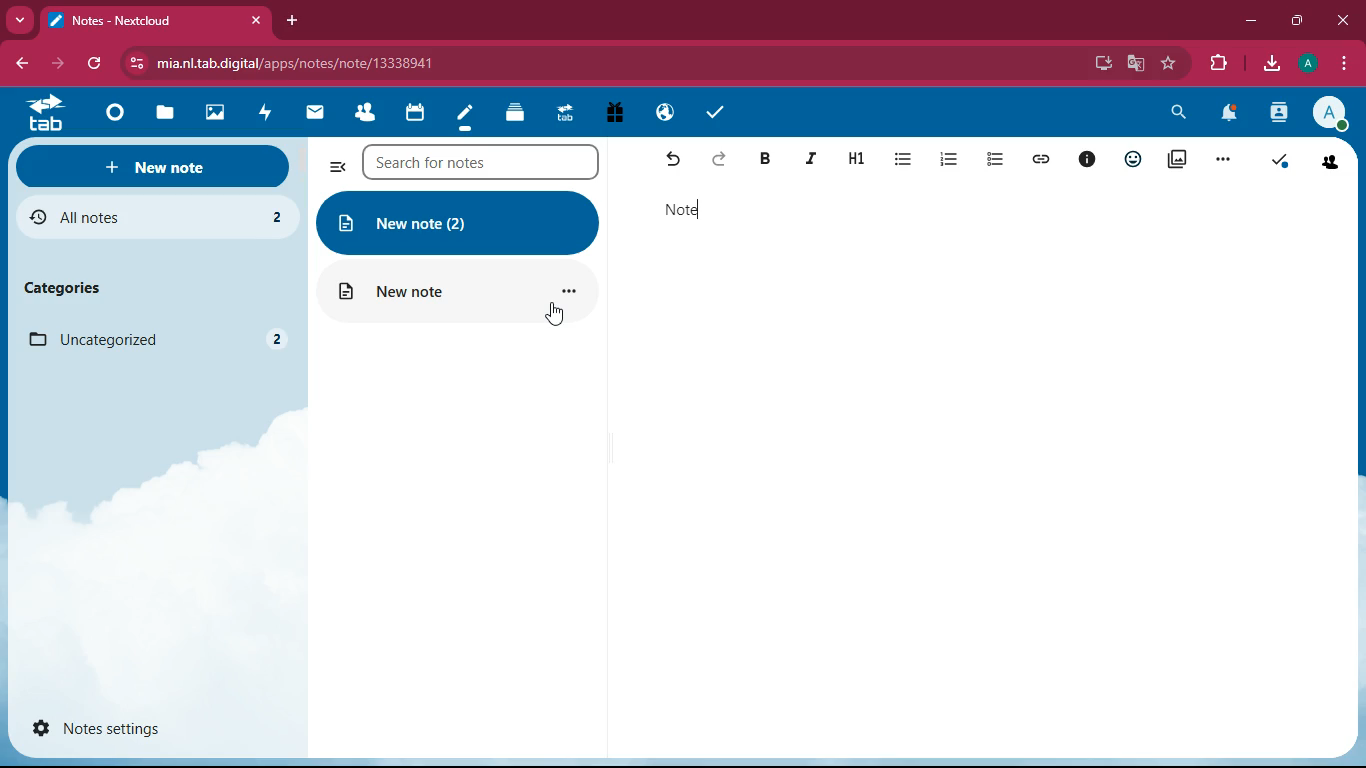  Describe the element at coordinates (570, 114) in the screenshot. I see `tab` at that location.